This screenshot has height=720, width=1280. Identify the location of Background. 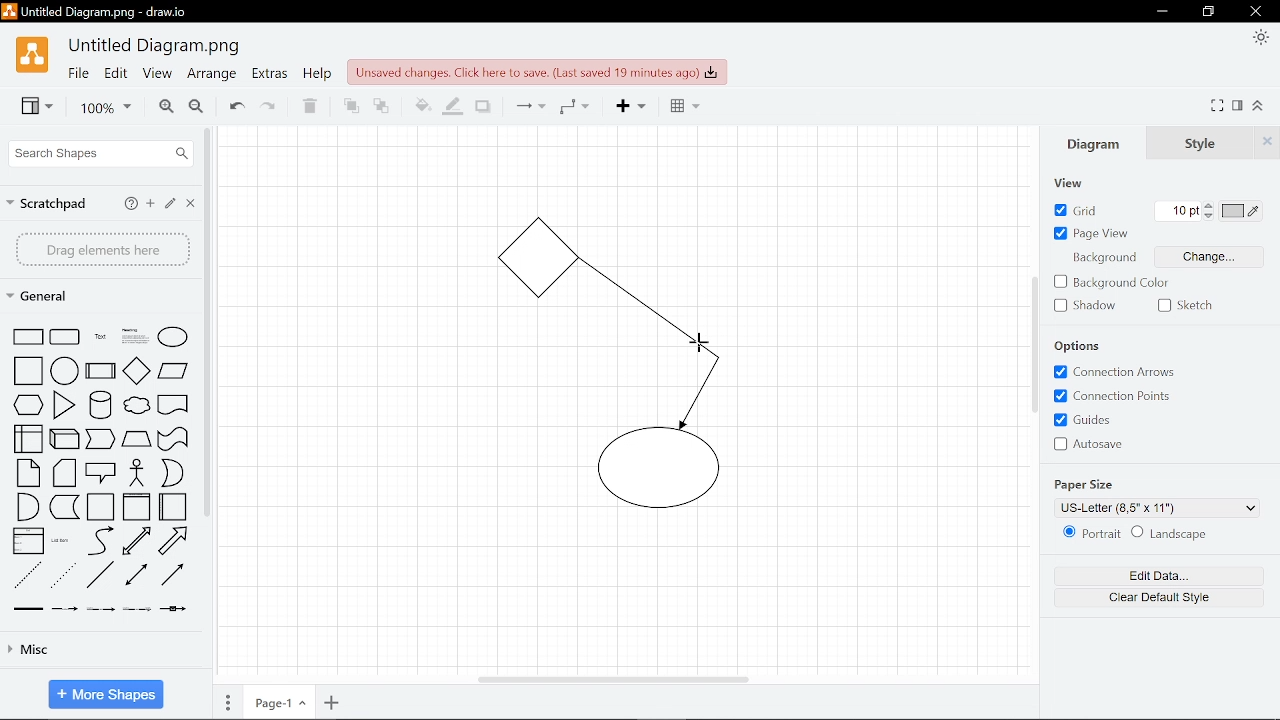
(1107, 260).